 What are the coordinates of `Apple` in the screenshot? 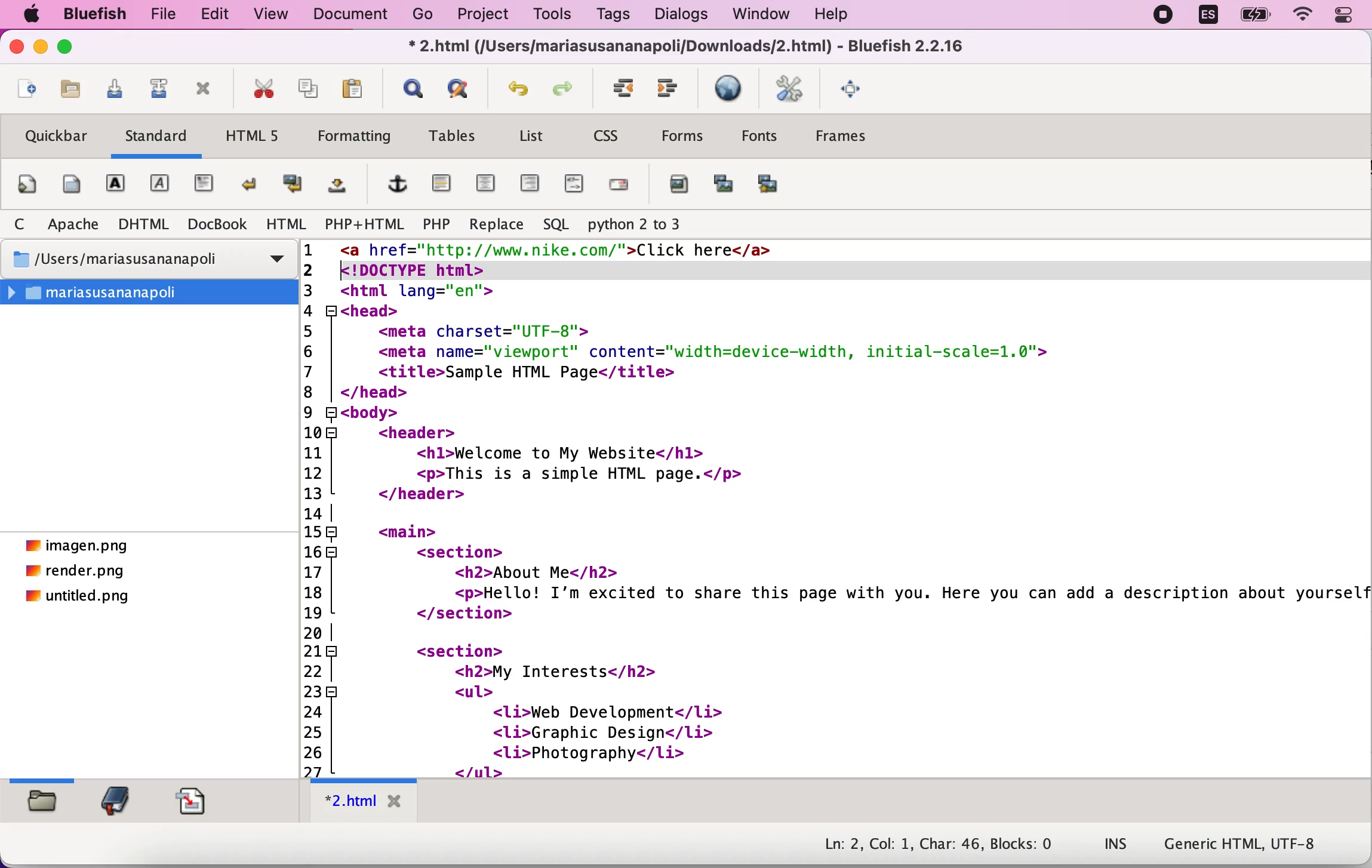 It's located at (30, 16).